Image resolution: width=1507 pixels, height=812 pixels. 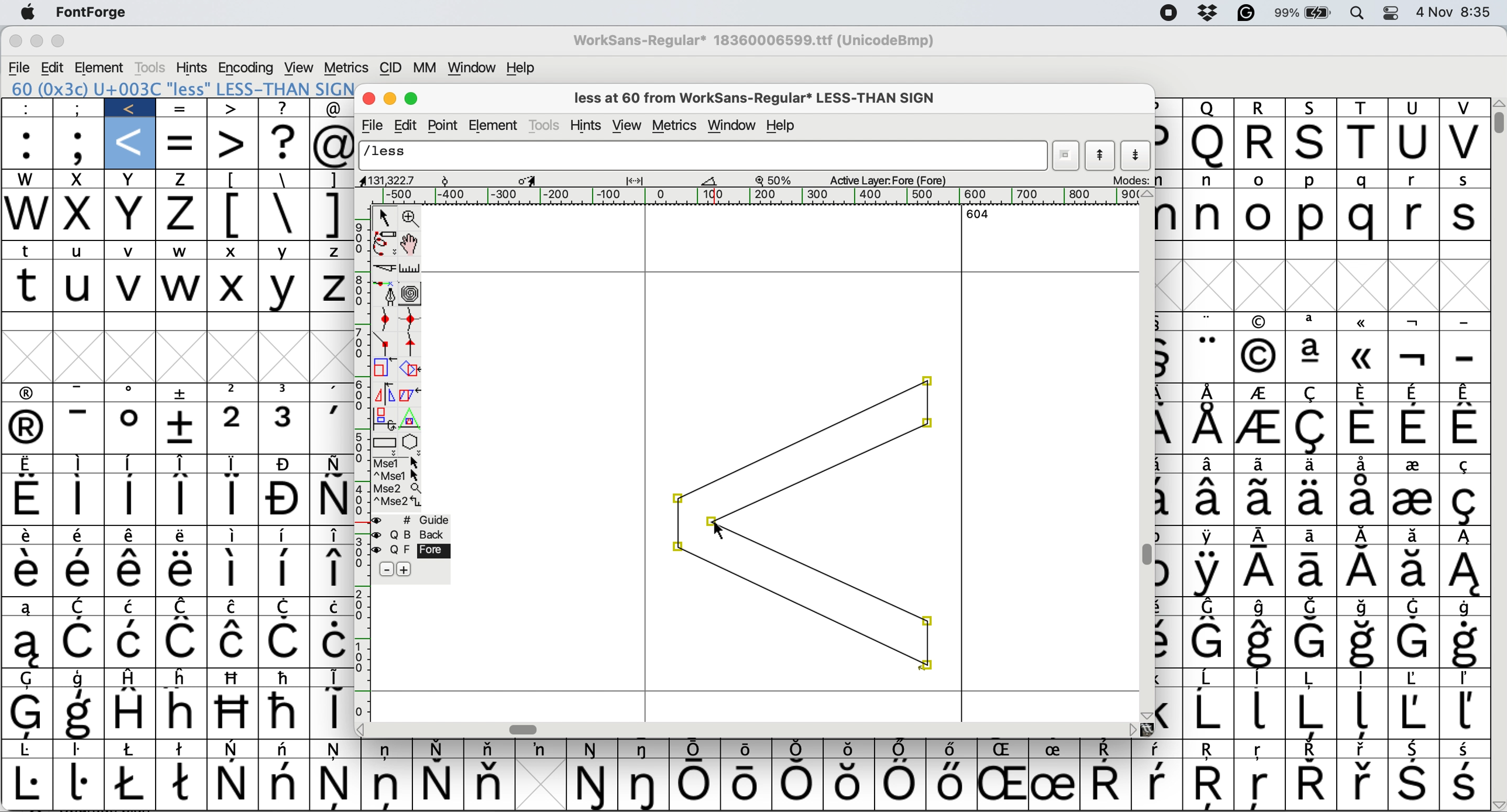 What do you see at coordinates (1466, 608) in the screenshot?
I see `Symbol` at bounding box center [1466, 608].